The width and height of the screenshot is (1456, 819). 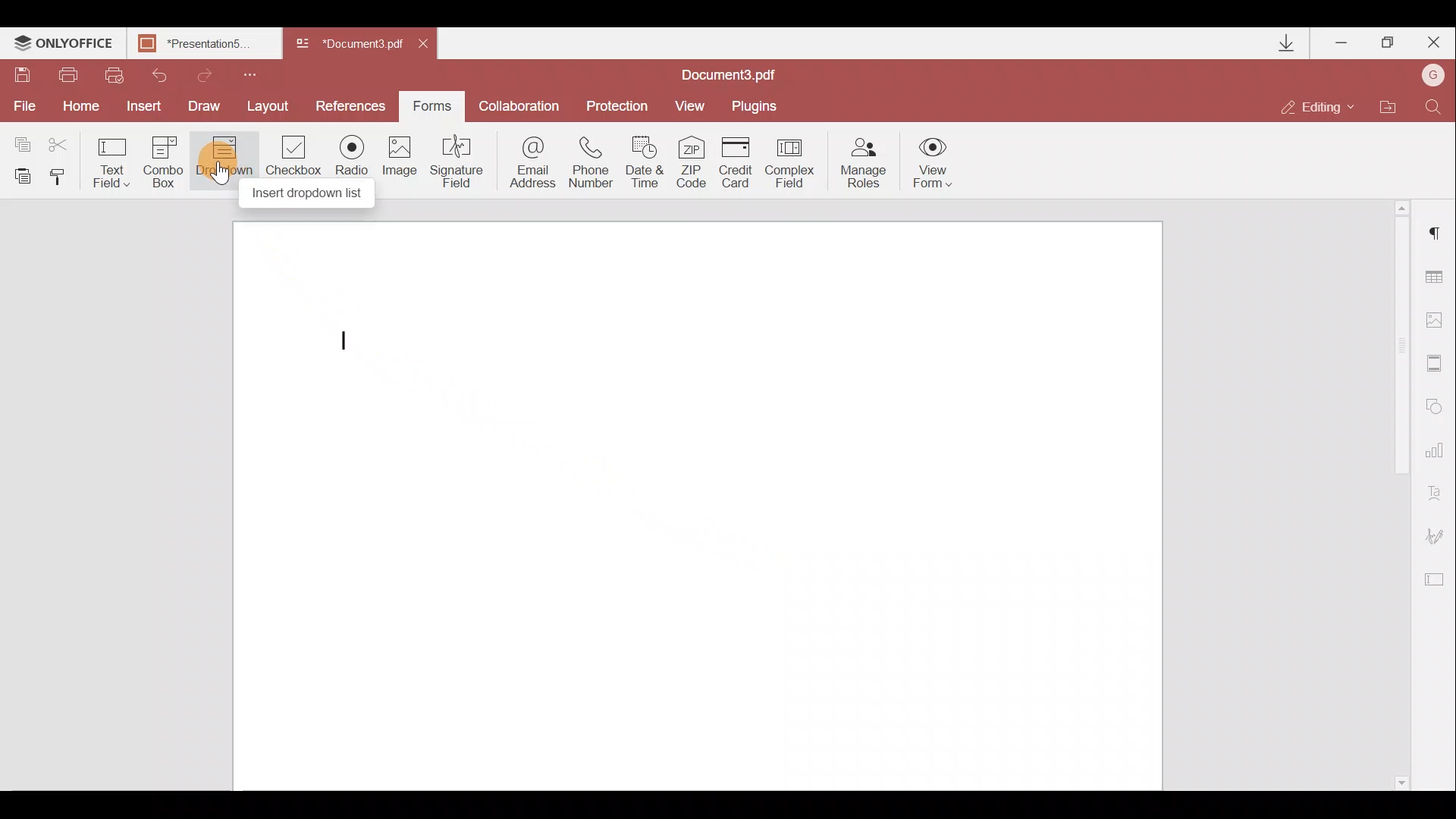 I want to click on Account name, so click(x=1433, y=74).